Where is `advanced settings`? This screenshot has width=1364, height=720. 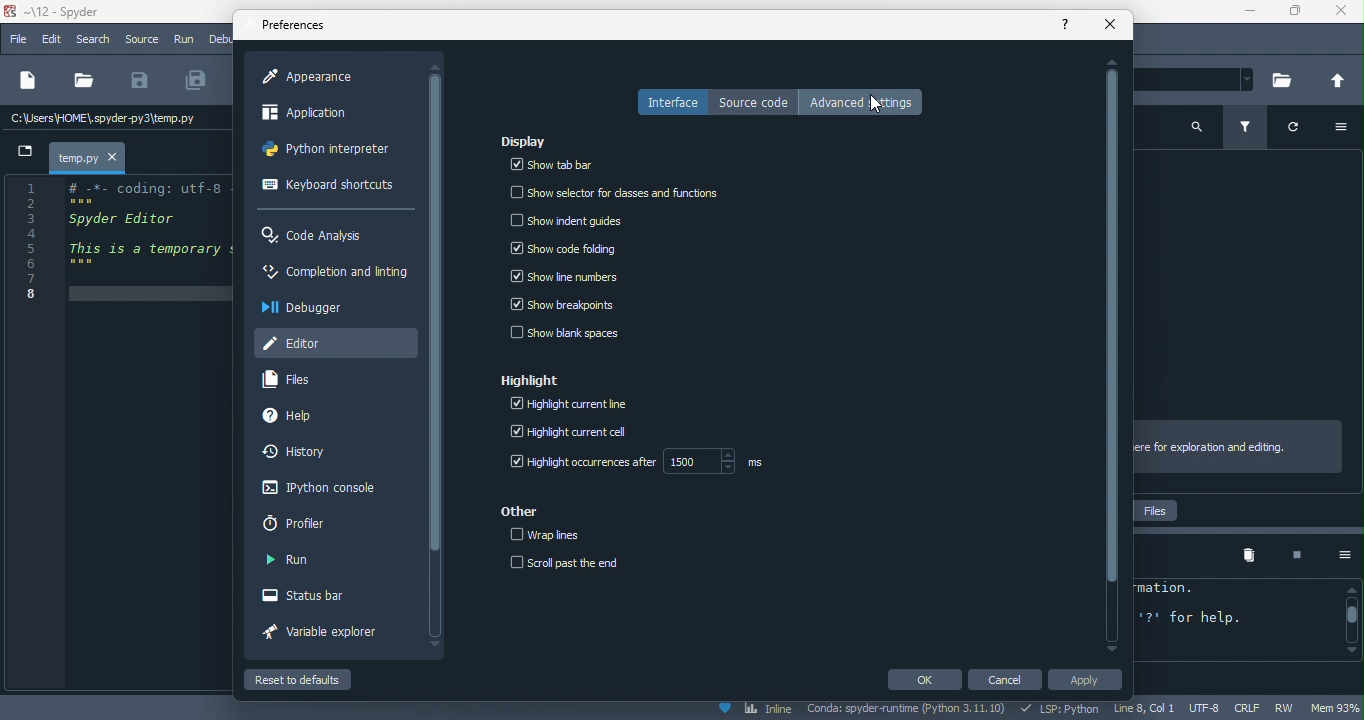
advanced settings is located at coordinates (867, 101).